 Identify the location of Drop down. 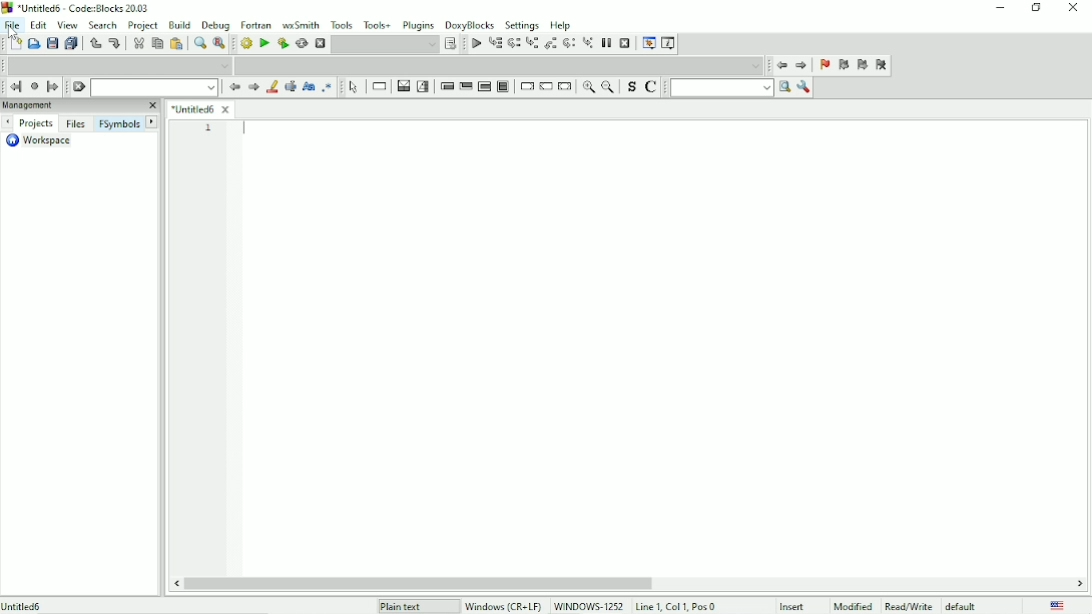
(385, 45).